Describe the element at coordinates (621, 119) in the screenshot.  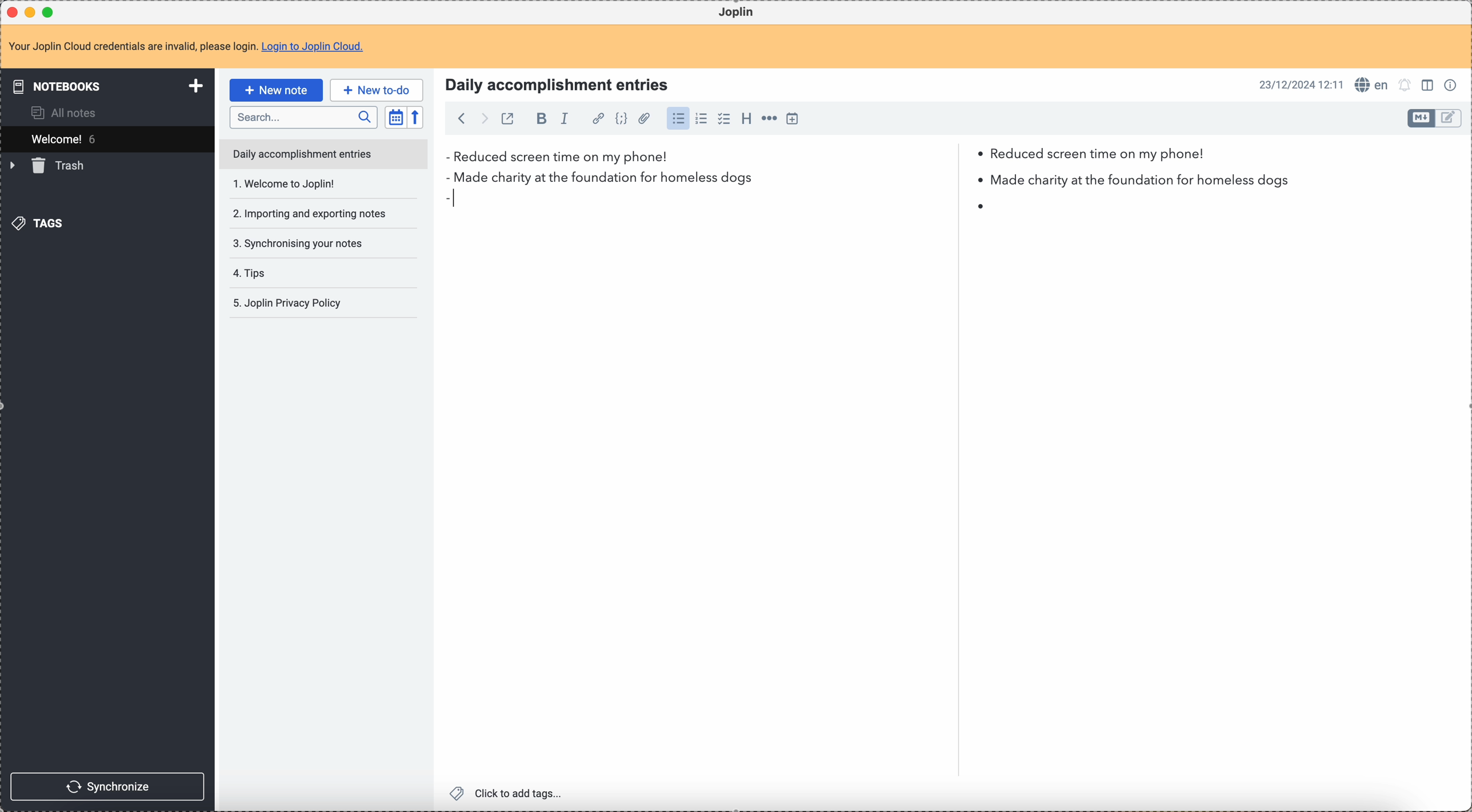
I see `code` at that location.